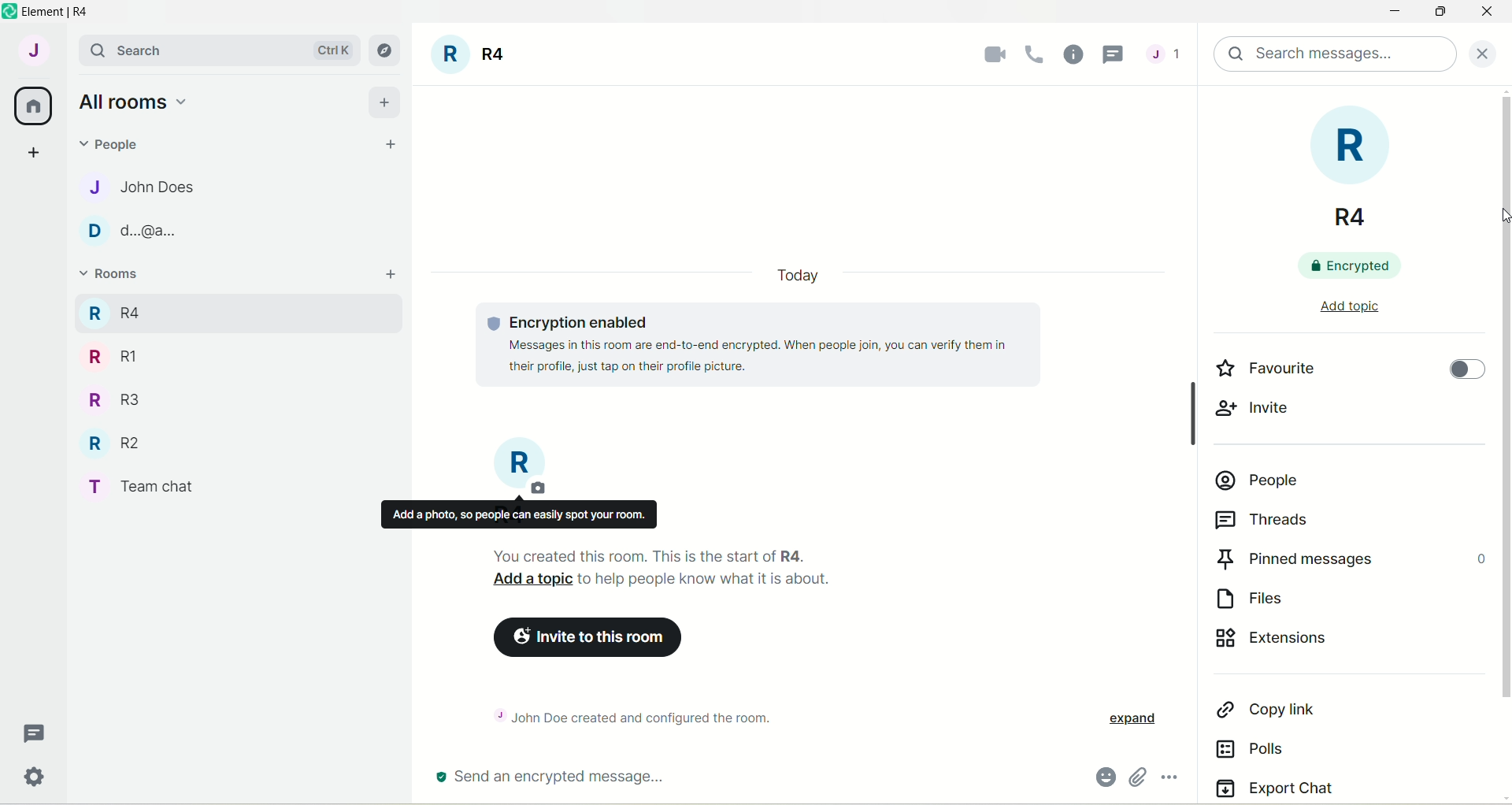  Describe the element at coordinates (1267, 367) in the screenshot. I see `favourite` at that location.